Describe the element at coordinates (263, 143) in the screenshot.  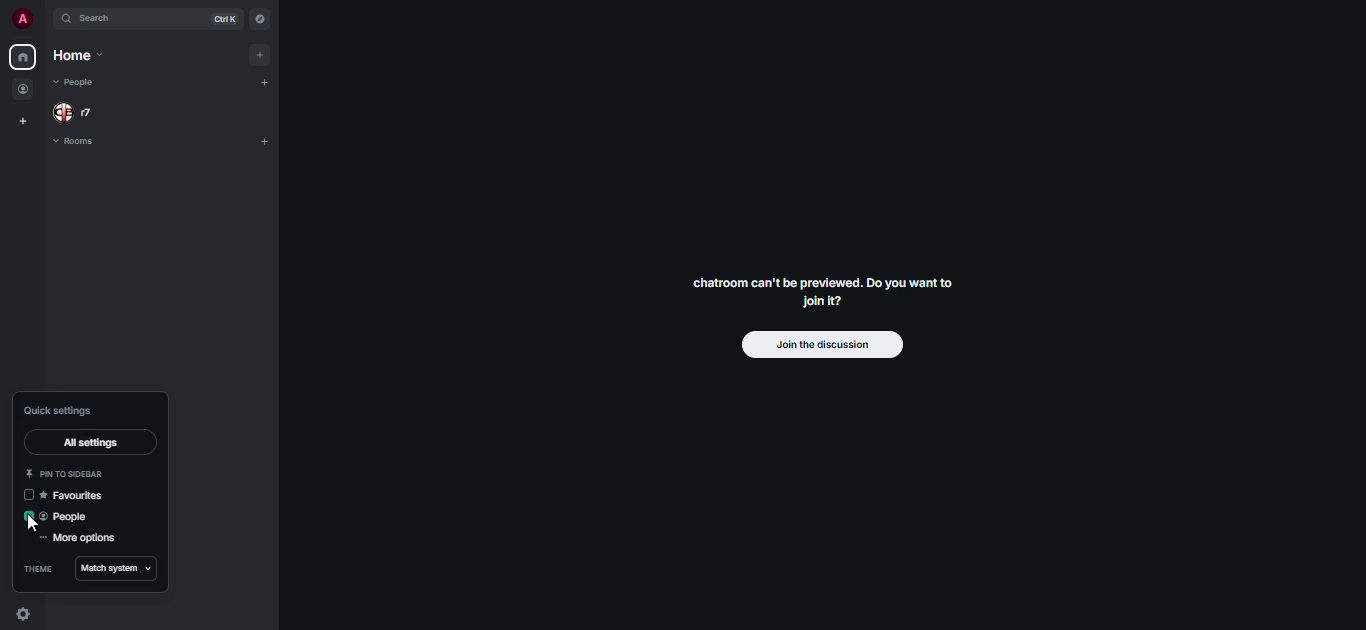
I see `add` at that location.